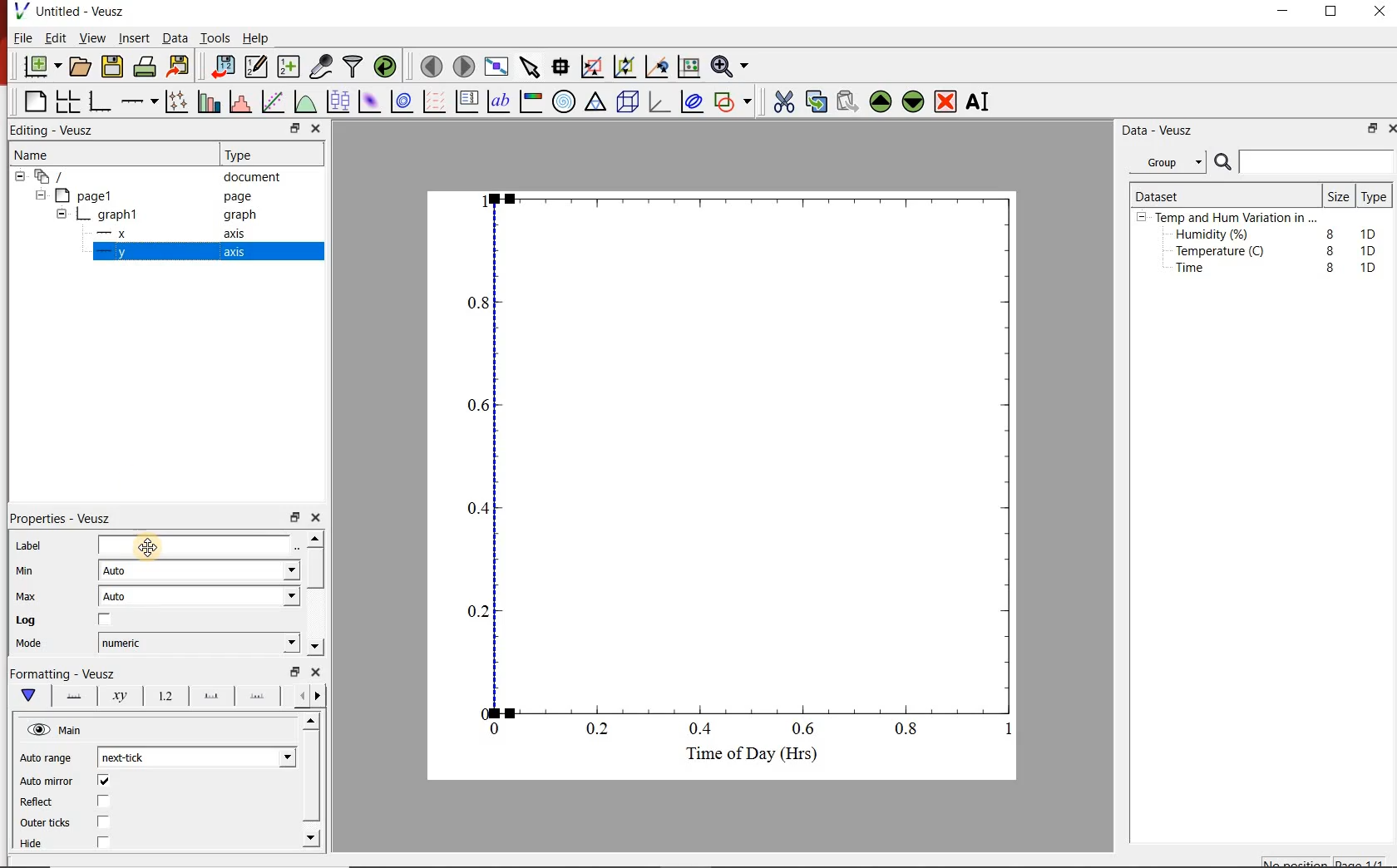 The height and width of the screenshot is (868, 1397). What do you see at coordinates (35, 596) in the screenshot?
I see `Max` at bounding box center [35, 596].